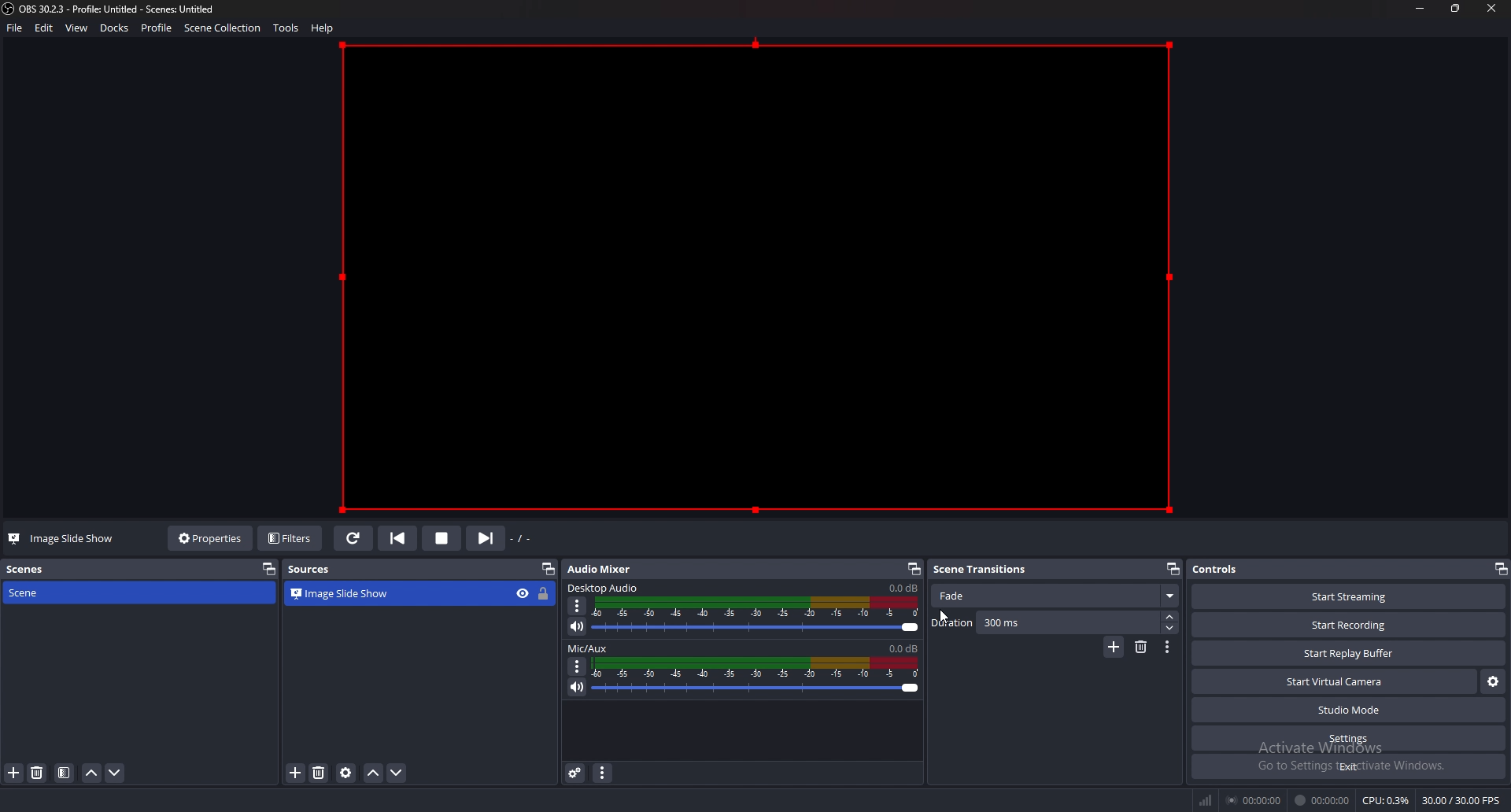  What do you see at coordinates (374, 772) in the screenshot?
I see `move source up` at bounding box center [374, 772].